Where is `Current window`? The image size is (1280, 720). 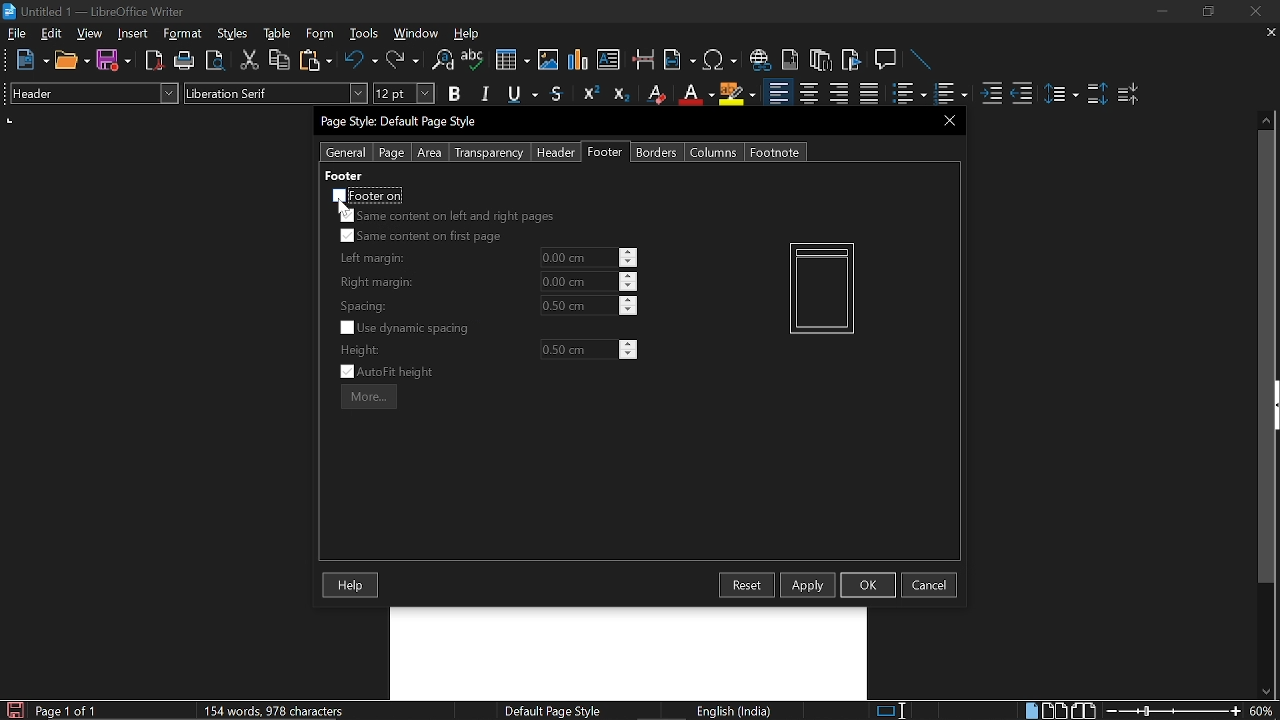
Current window is located at coordinates (402, 122).